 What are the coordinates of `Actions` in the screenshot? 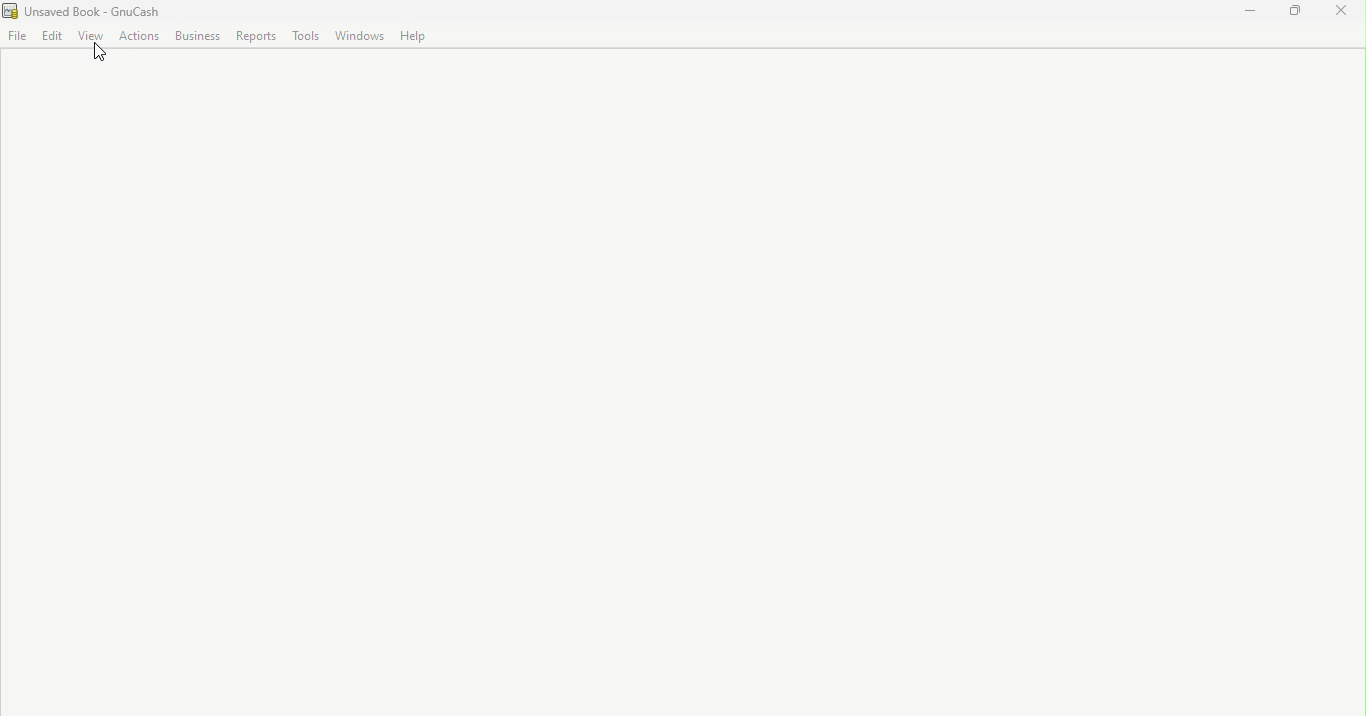 It's located at (141, 38).